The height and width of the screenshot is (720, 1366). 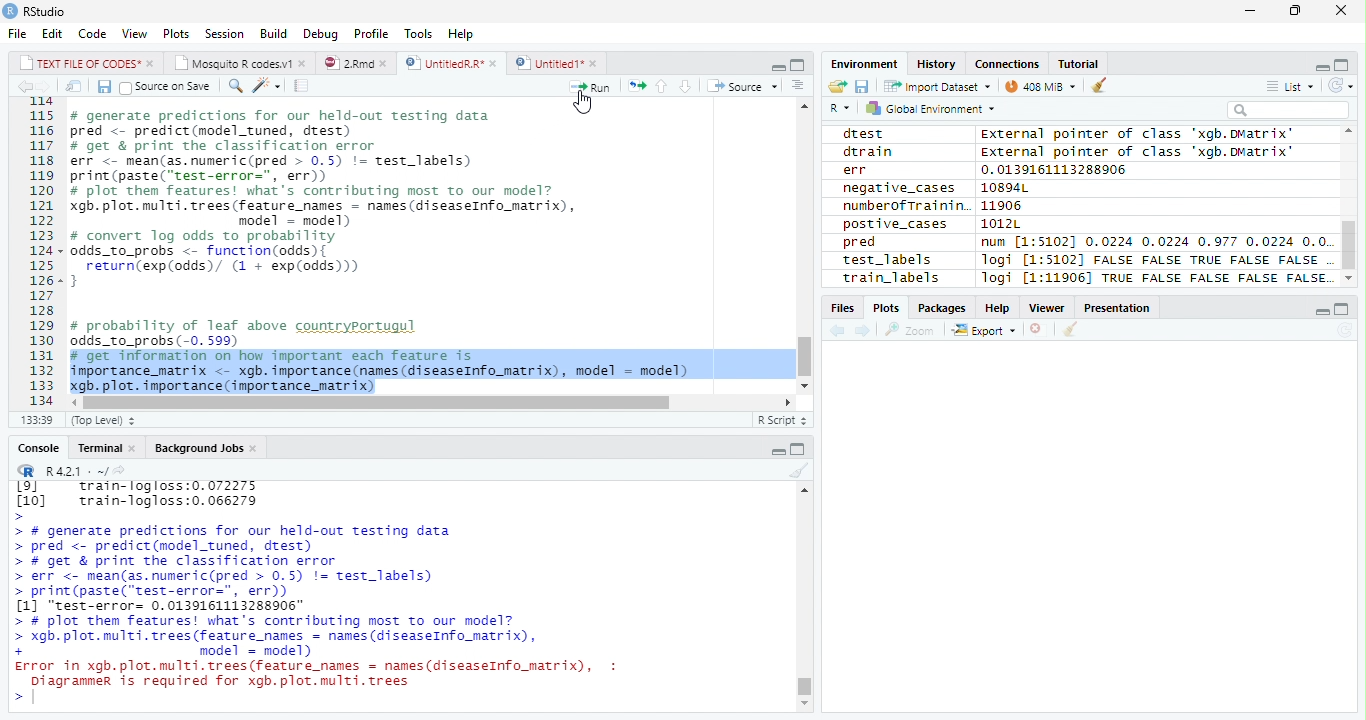 What do you see at coordinates (1142, 132) in the screenshot?
I see `external pointer of class 'xagb.DMatrix'` at bounding box center [1142, 132].